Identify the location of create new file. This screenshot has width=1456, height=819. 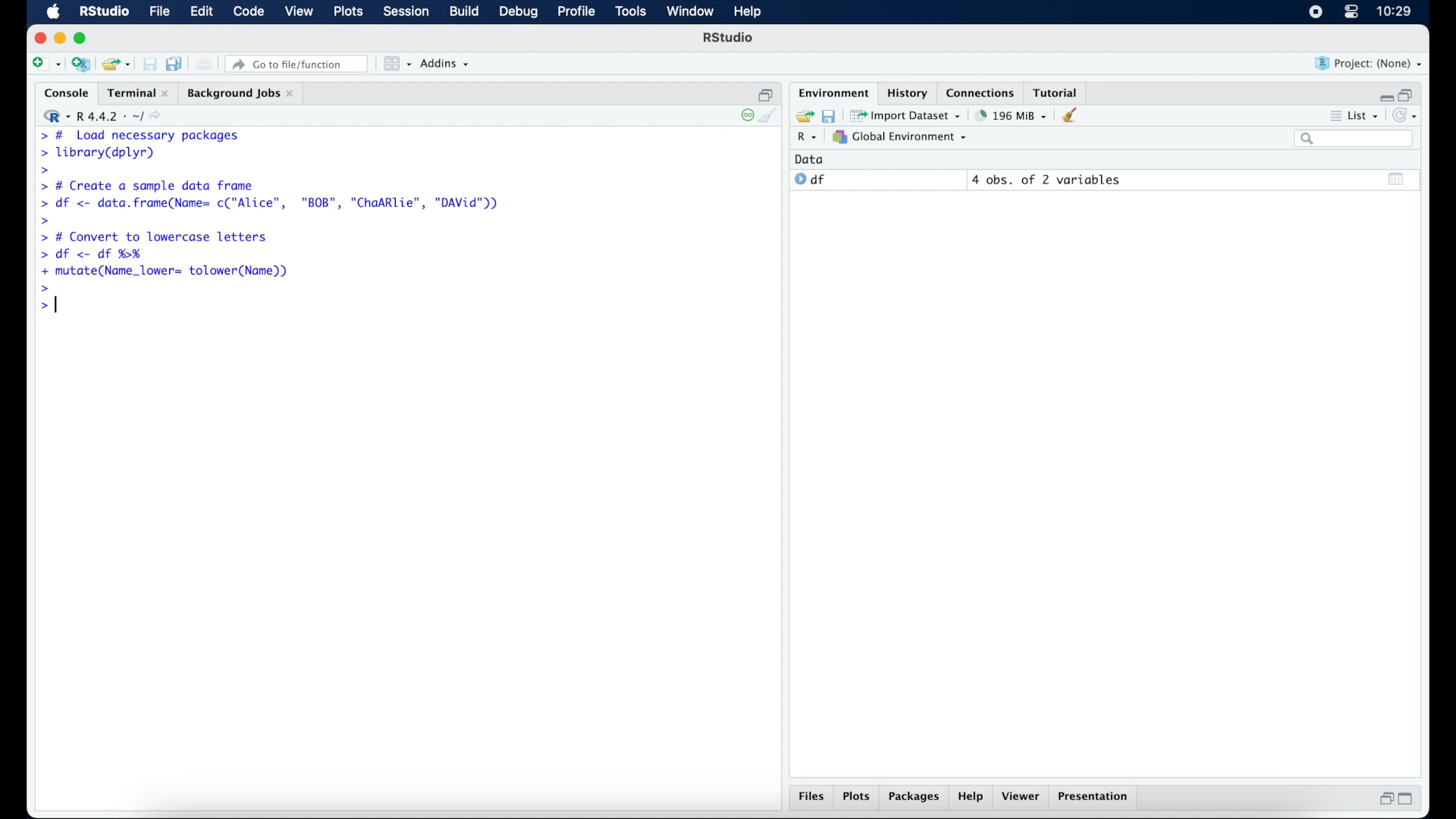
(45, 65).